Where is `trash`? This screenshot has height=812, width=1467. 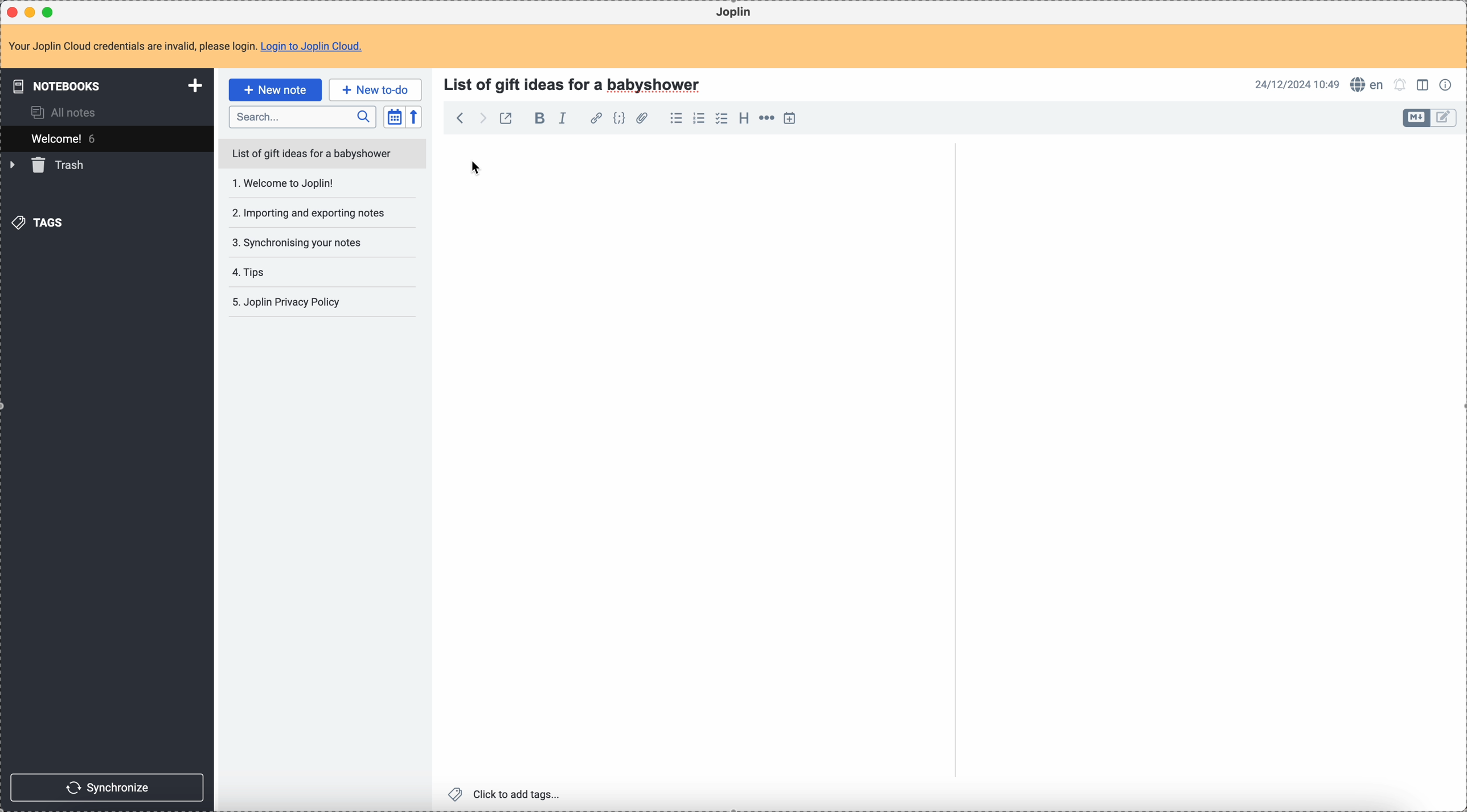 trash is located at coordinates (50, 166).